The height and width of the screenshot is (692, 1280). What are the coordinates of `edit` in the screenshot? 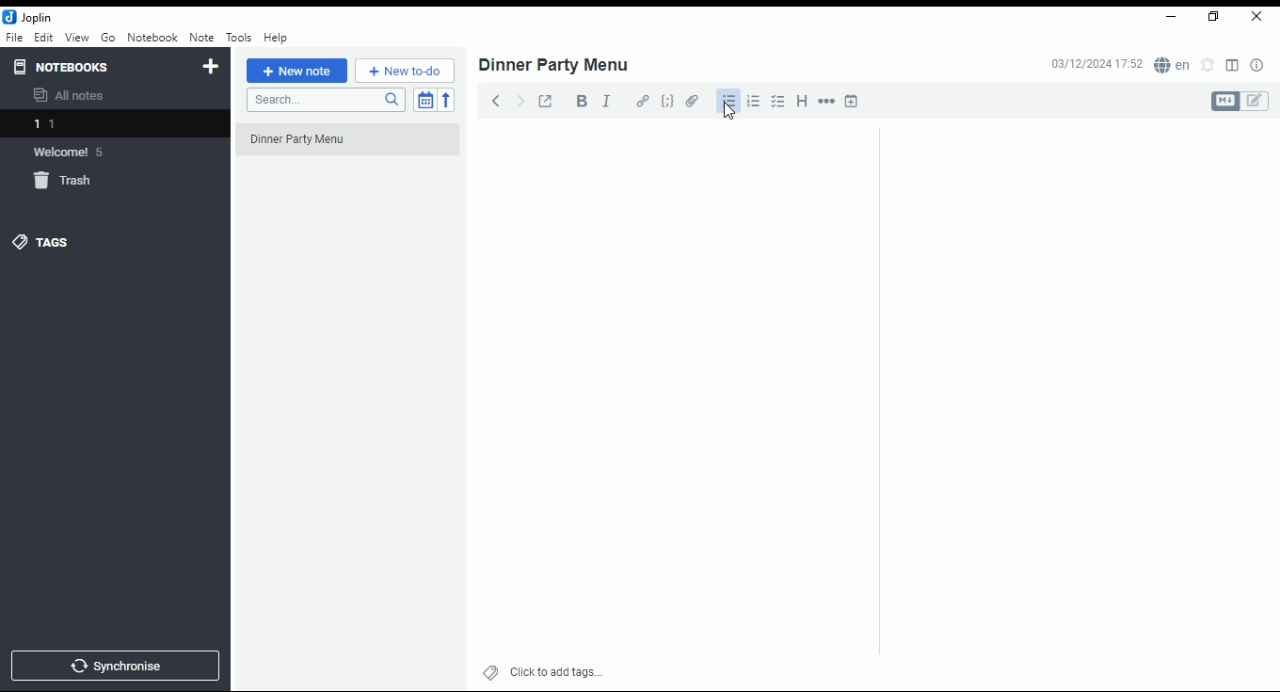 It's located at (1257, 101).